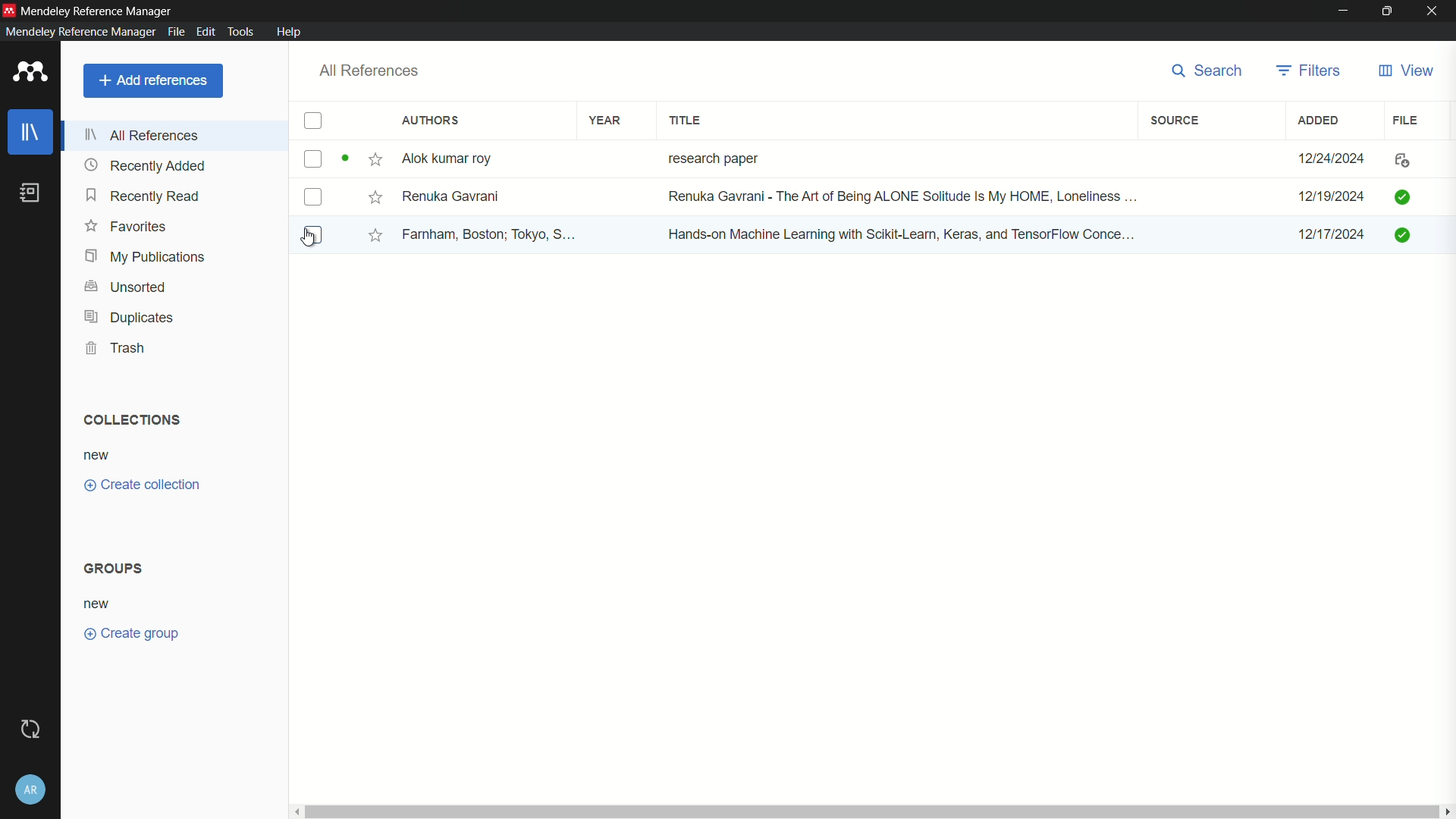 The height and width of the screenshot is (819, 1456). Describe the element at coordinates (132, 318) in the screenshot. I see `duplicates` at that location.